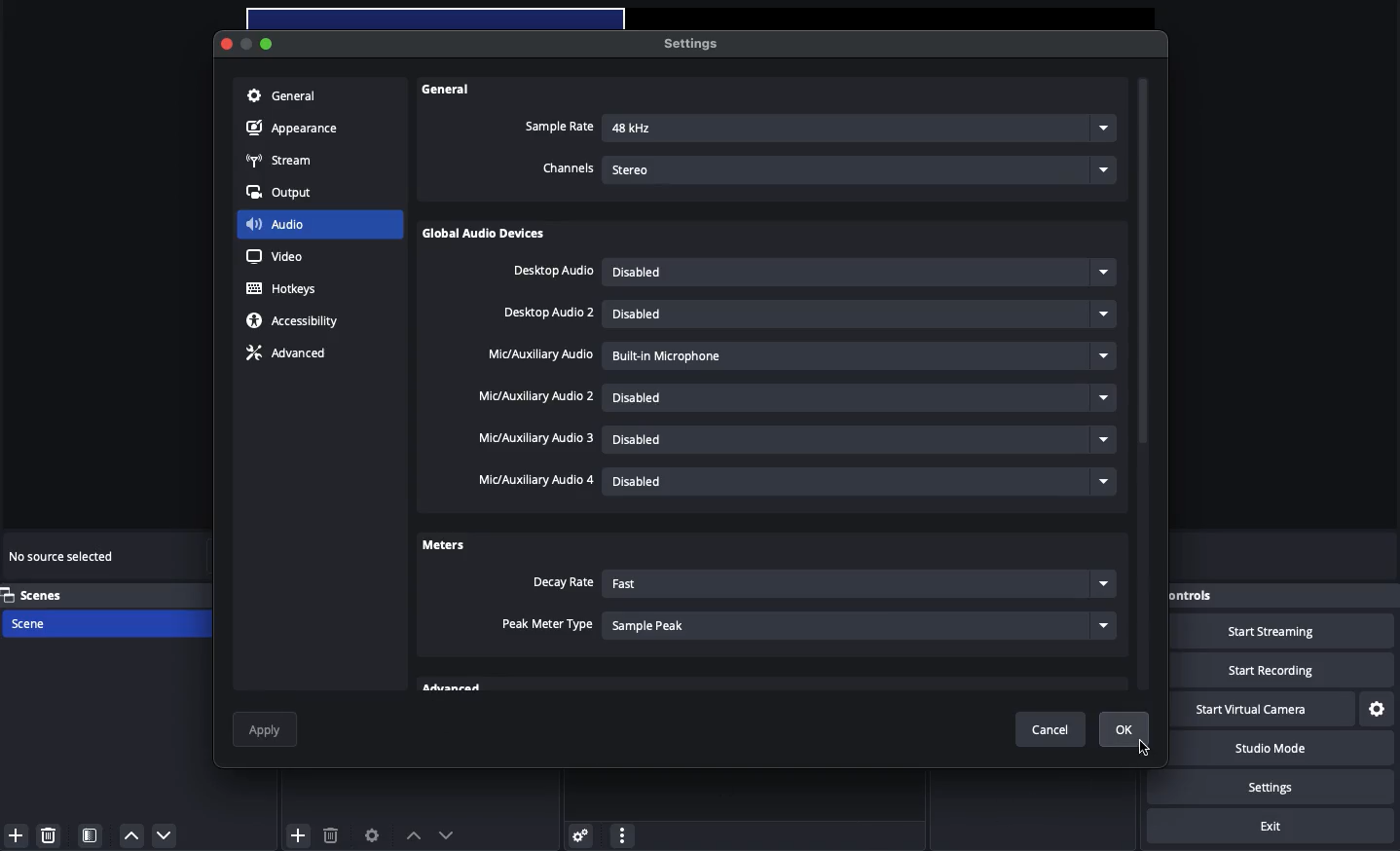 Image resolution: width=1400 pixels, height=851 pixels. Describe the element at coordinates (91, 835) in the screenshot. I see `Scene filter` at that location.